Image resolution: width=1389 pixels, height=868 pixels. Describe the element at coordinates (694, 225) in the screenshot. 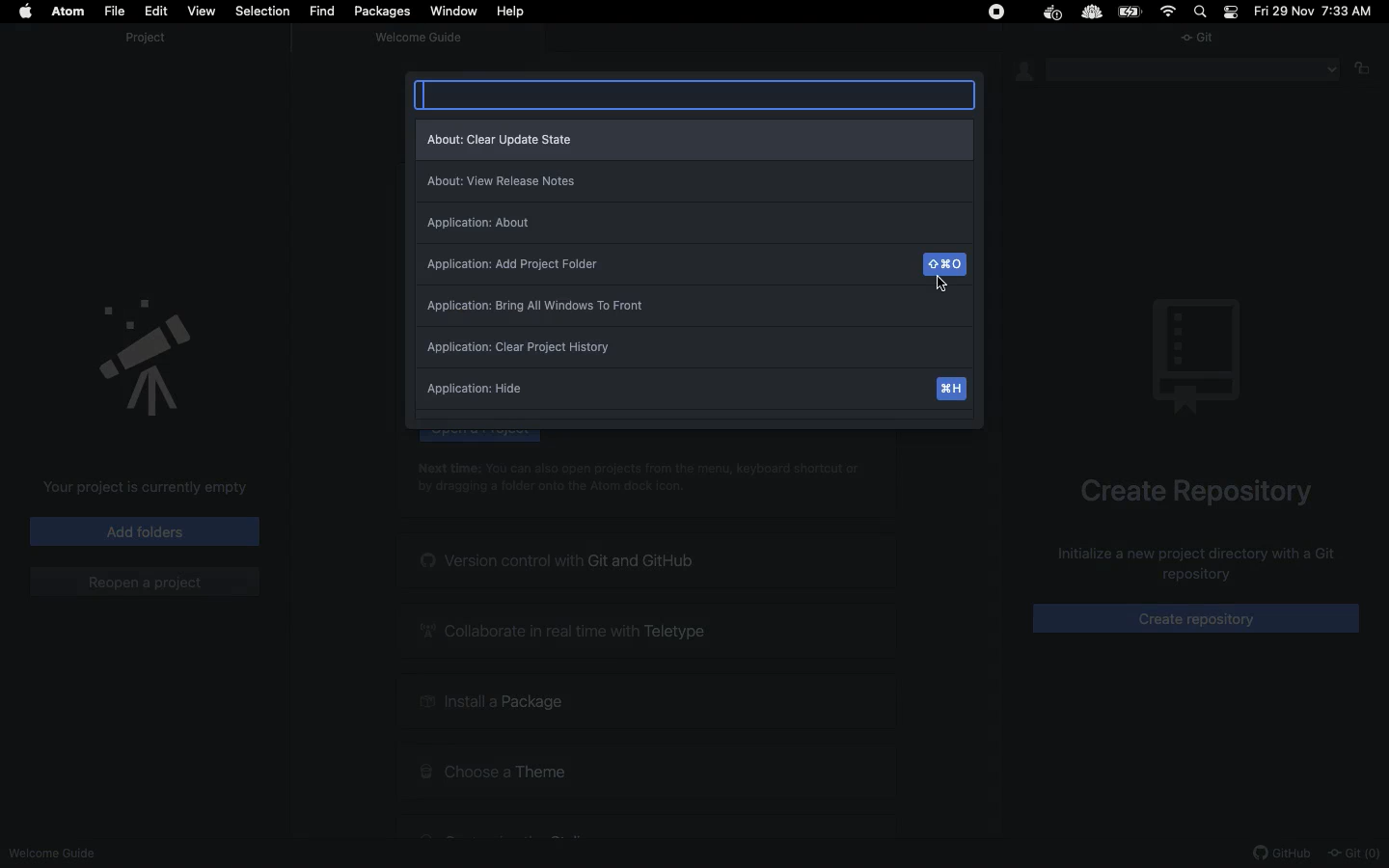

I see `Application about` at that location.